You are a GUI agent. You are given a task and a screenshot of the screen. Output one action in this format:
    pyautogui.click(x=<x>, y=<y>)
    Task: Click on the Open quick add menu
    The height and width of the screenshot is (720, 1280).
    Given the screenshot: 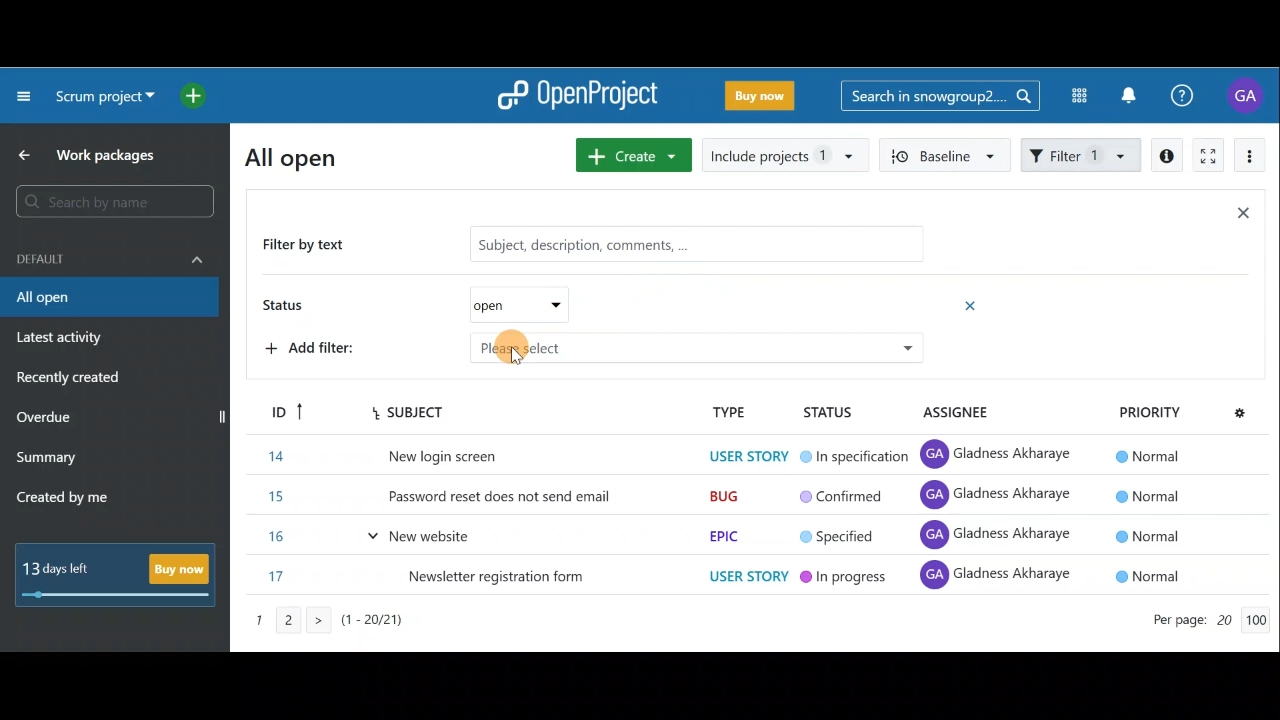 What is the action you would take?
    pyautogui.click(x=197, y=92)
    